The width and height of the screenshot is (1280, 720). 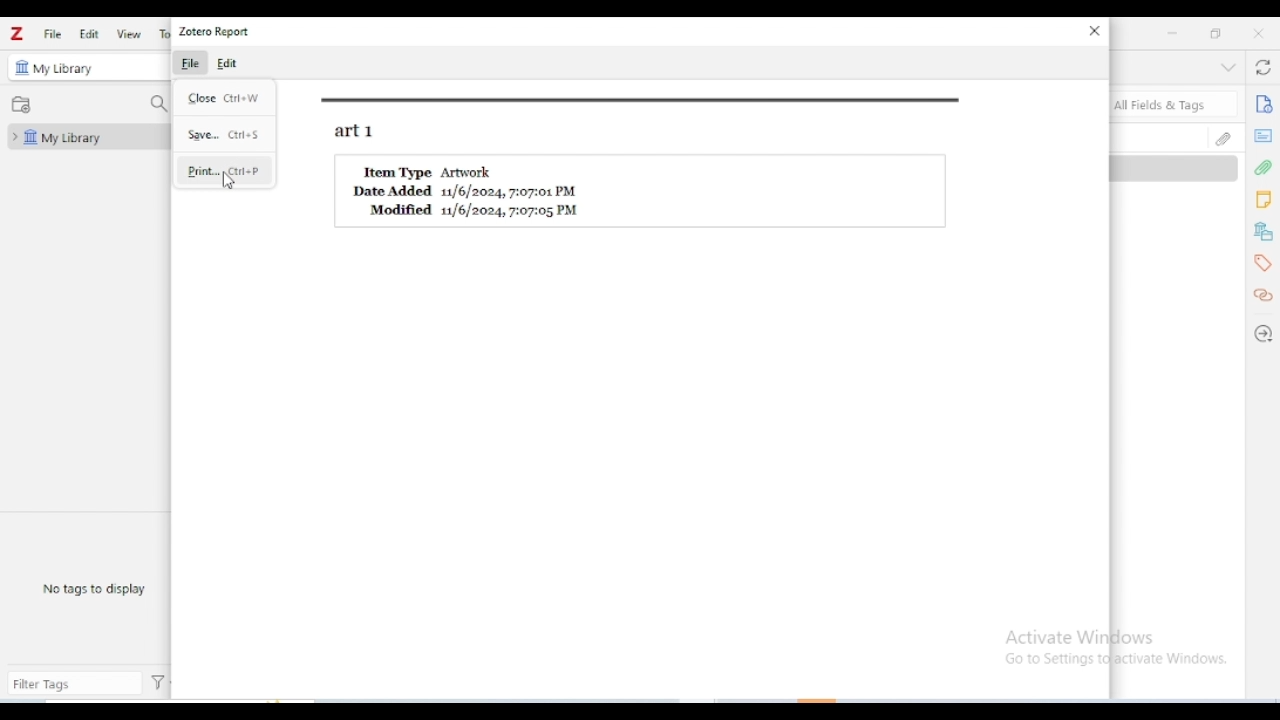 I want to click on border, so click(x=643, y=100).